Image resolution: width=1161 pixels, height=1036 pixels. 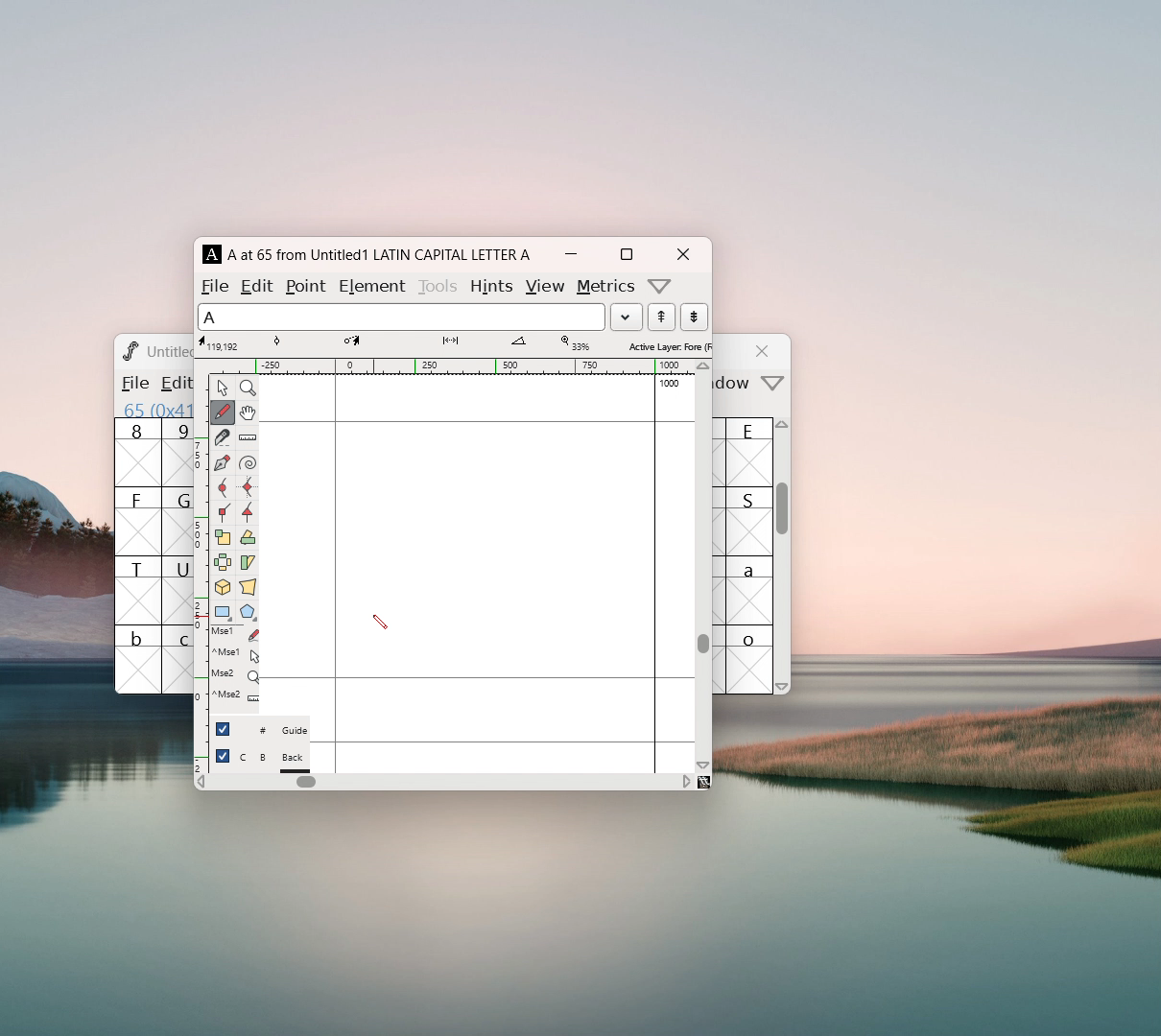 I want to click on b, so click(x=138, y=659).